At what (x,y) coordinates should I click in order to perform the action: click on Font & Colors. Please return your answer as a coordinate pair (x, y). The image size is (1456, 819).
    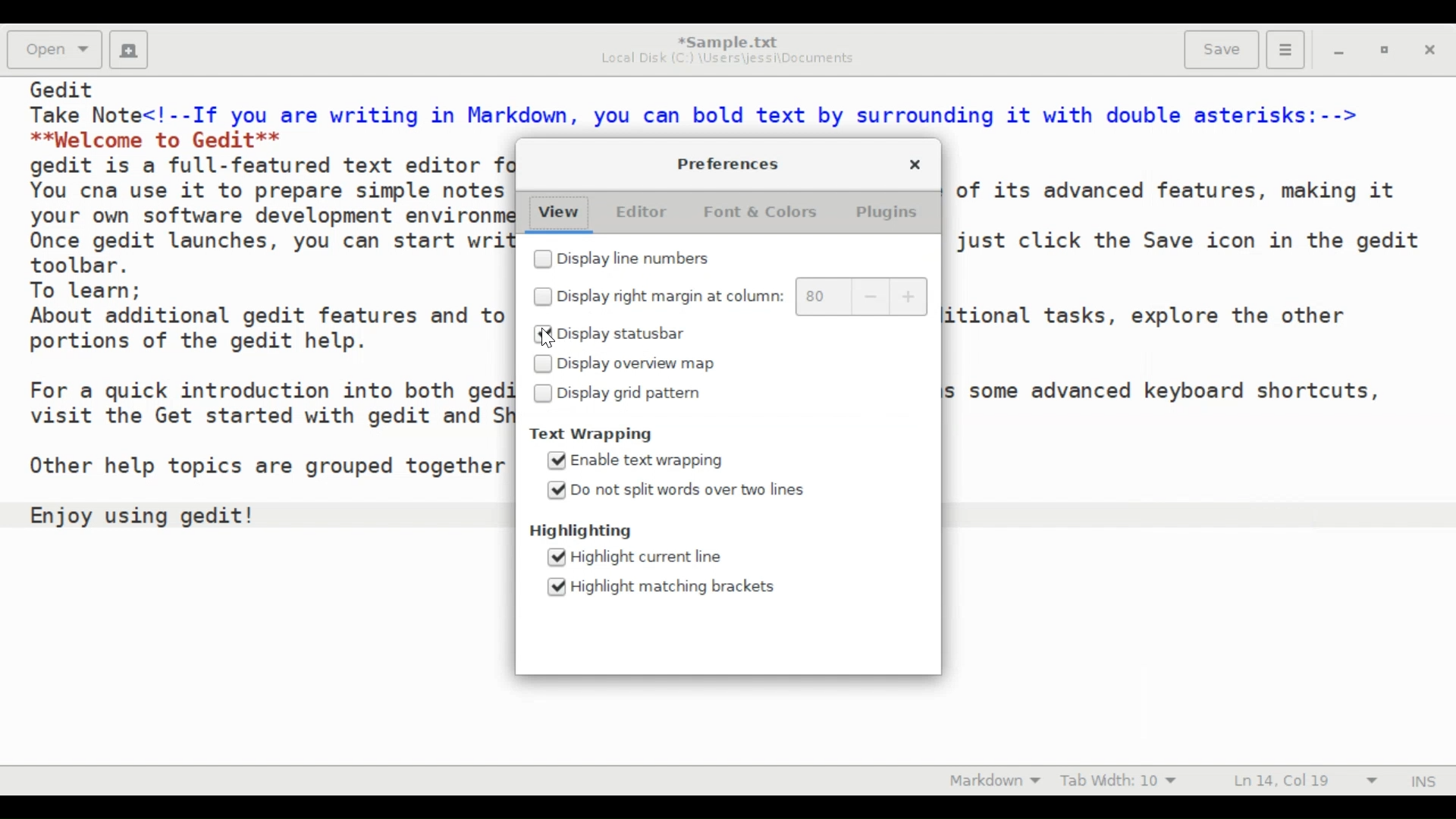
    Looking at the image, I should click on (762, 211).